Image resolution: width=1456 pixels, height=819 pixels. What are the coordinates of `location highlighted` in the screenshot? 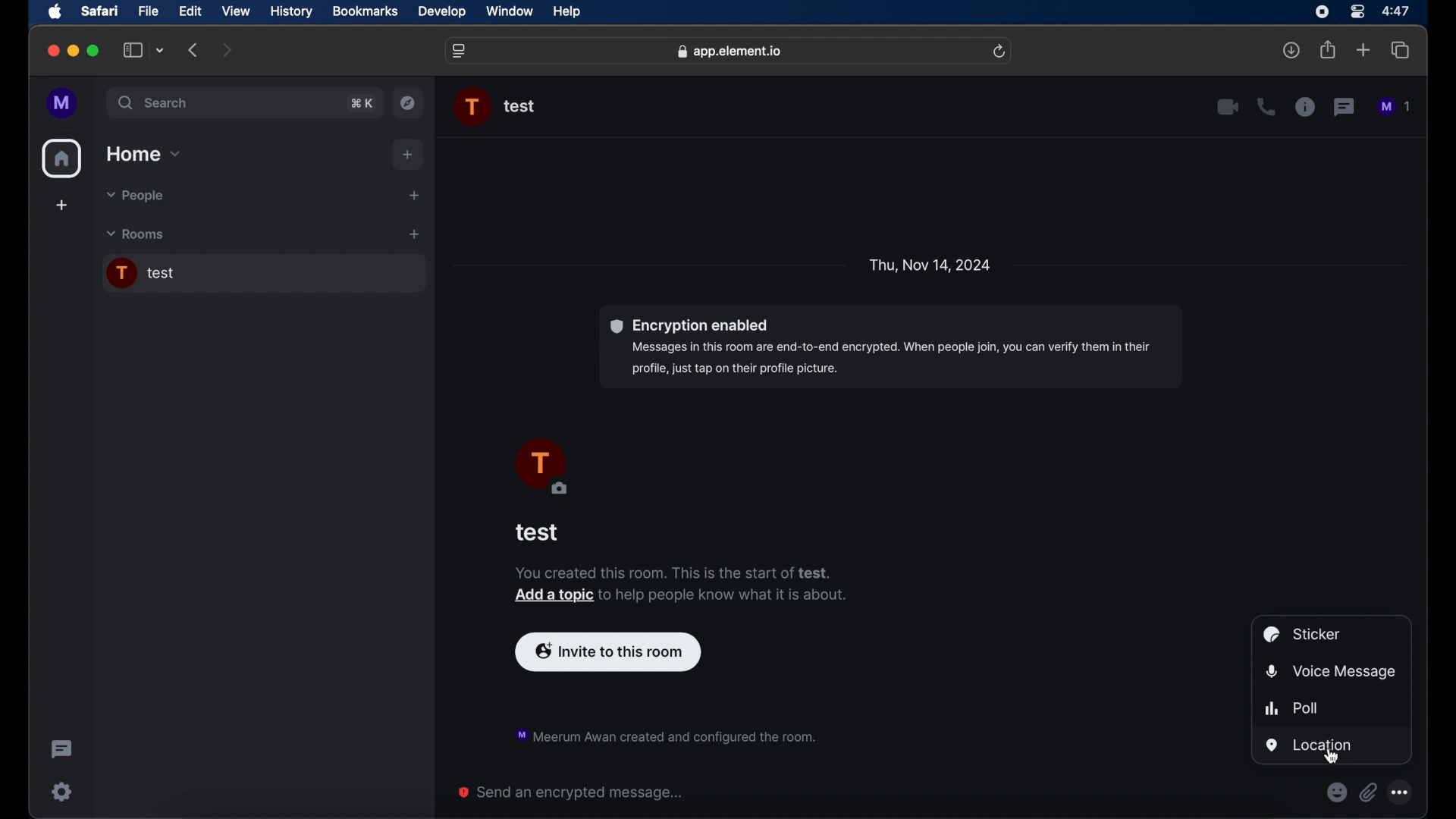 It's located at (1332, 745).